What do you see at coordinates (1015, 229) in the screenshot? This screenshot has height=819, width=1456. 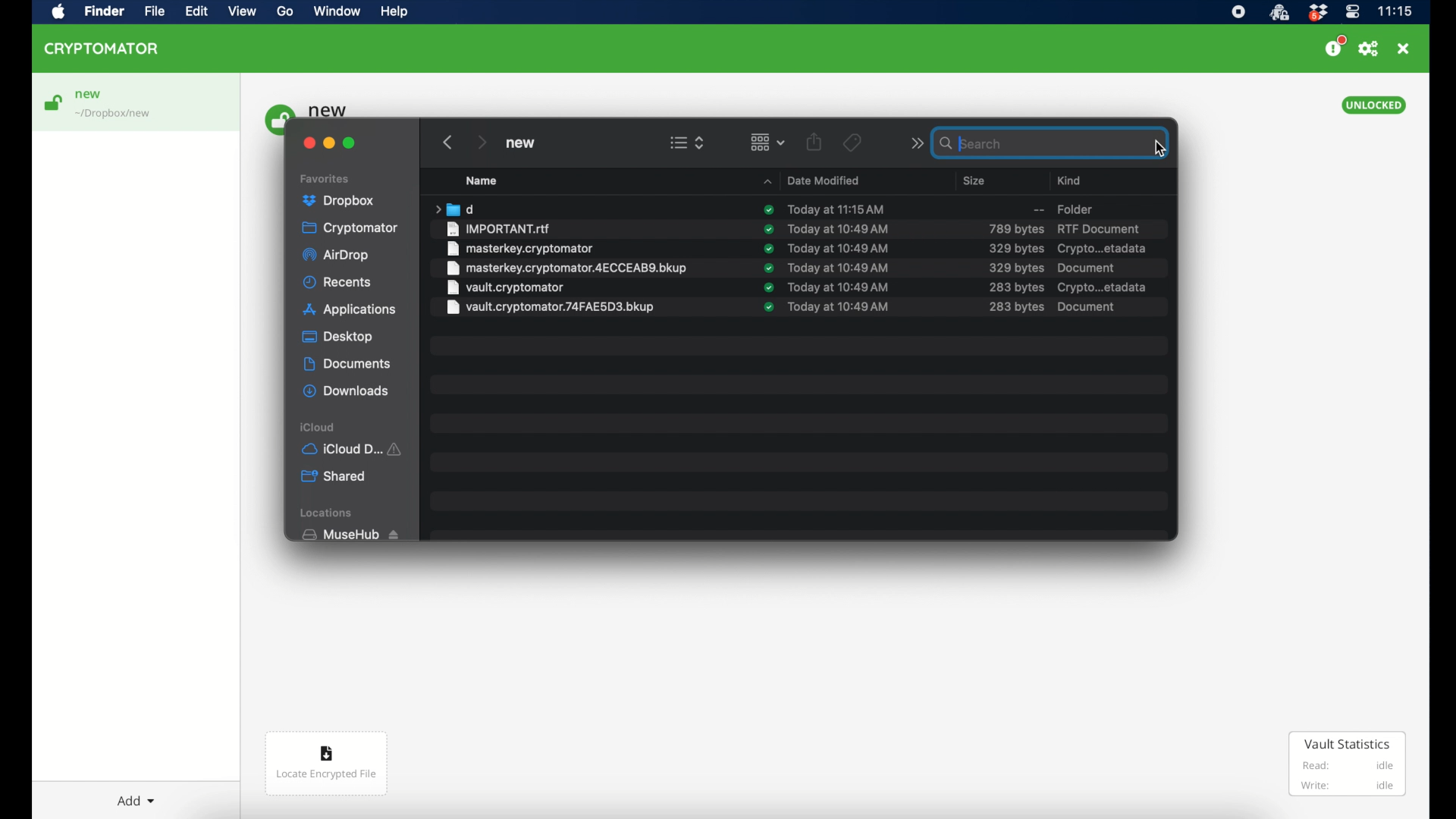 I see `size` at bounding box center [1015, 229].